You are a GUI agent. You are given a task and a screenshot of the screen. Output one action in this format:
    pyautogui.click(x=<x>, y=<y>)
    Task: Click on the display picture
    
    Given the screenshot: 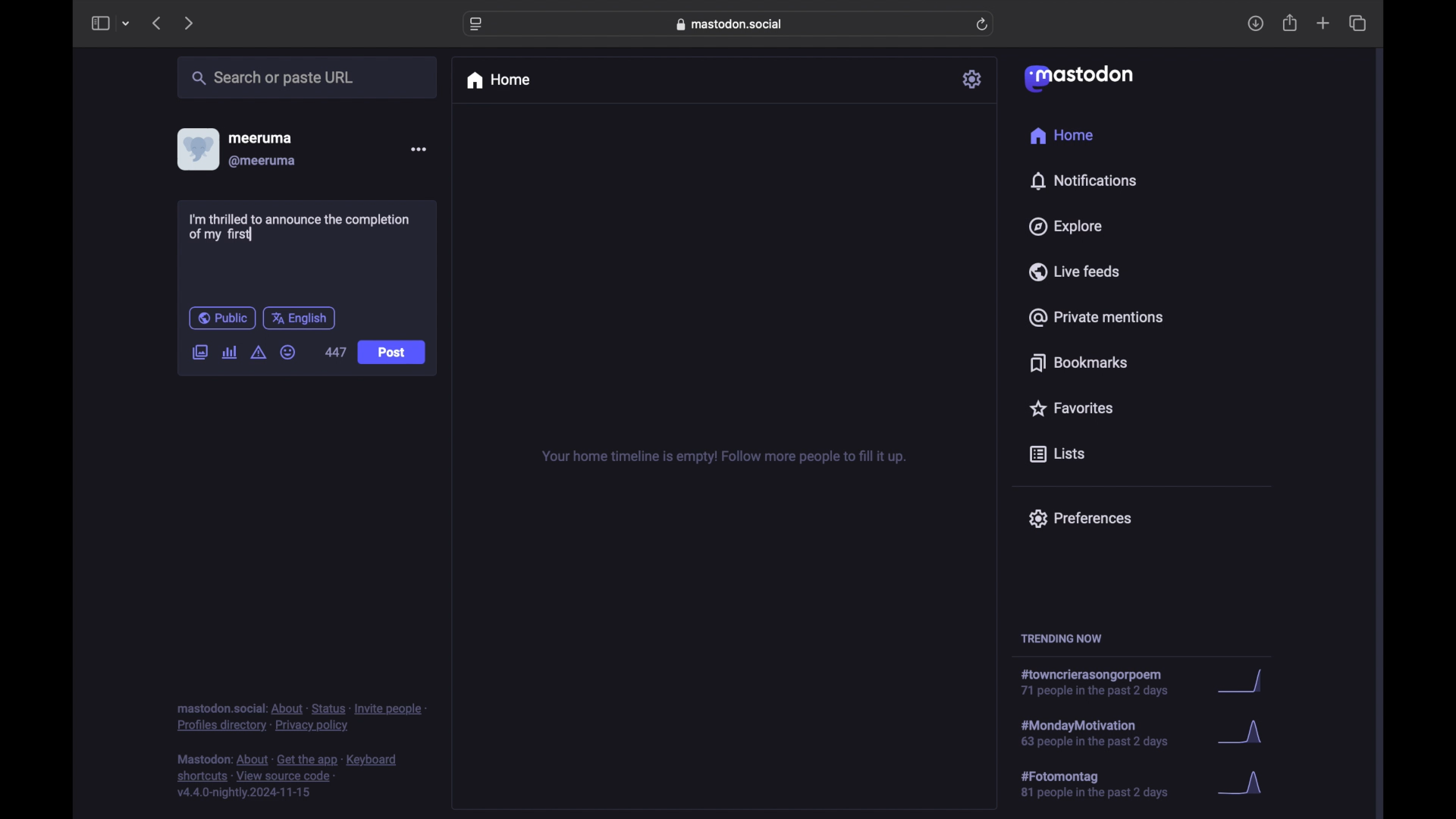 What is the action you would take?
    pyautogui.click(x=196, y=149)
    